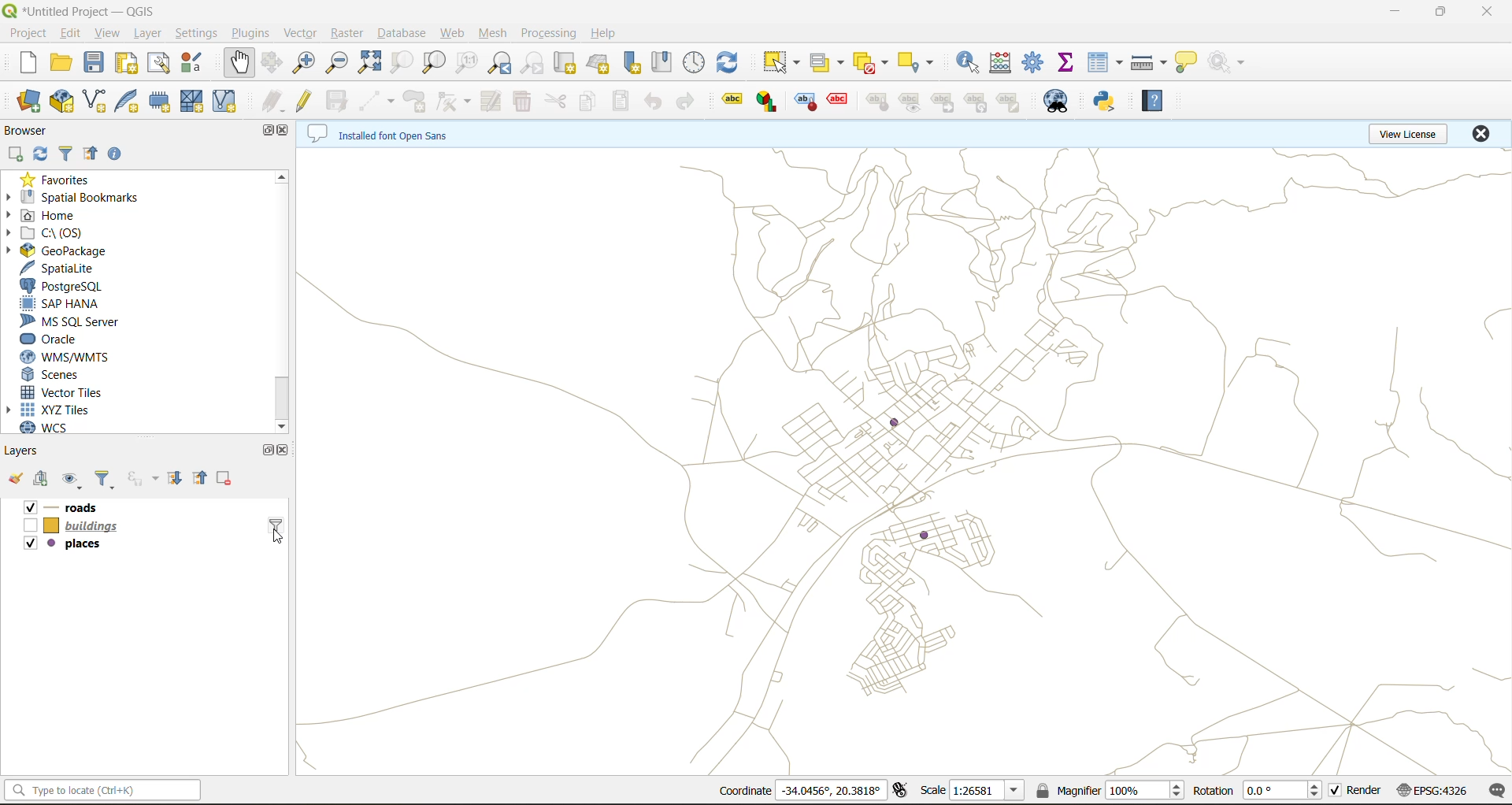  Describe the element at coordinates (1483, 136) in the screenshot. I see `close` at that location.